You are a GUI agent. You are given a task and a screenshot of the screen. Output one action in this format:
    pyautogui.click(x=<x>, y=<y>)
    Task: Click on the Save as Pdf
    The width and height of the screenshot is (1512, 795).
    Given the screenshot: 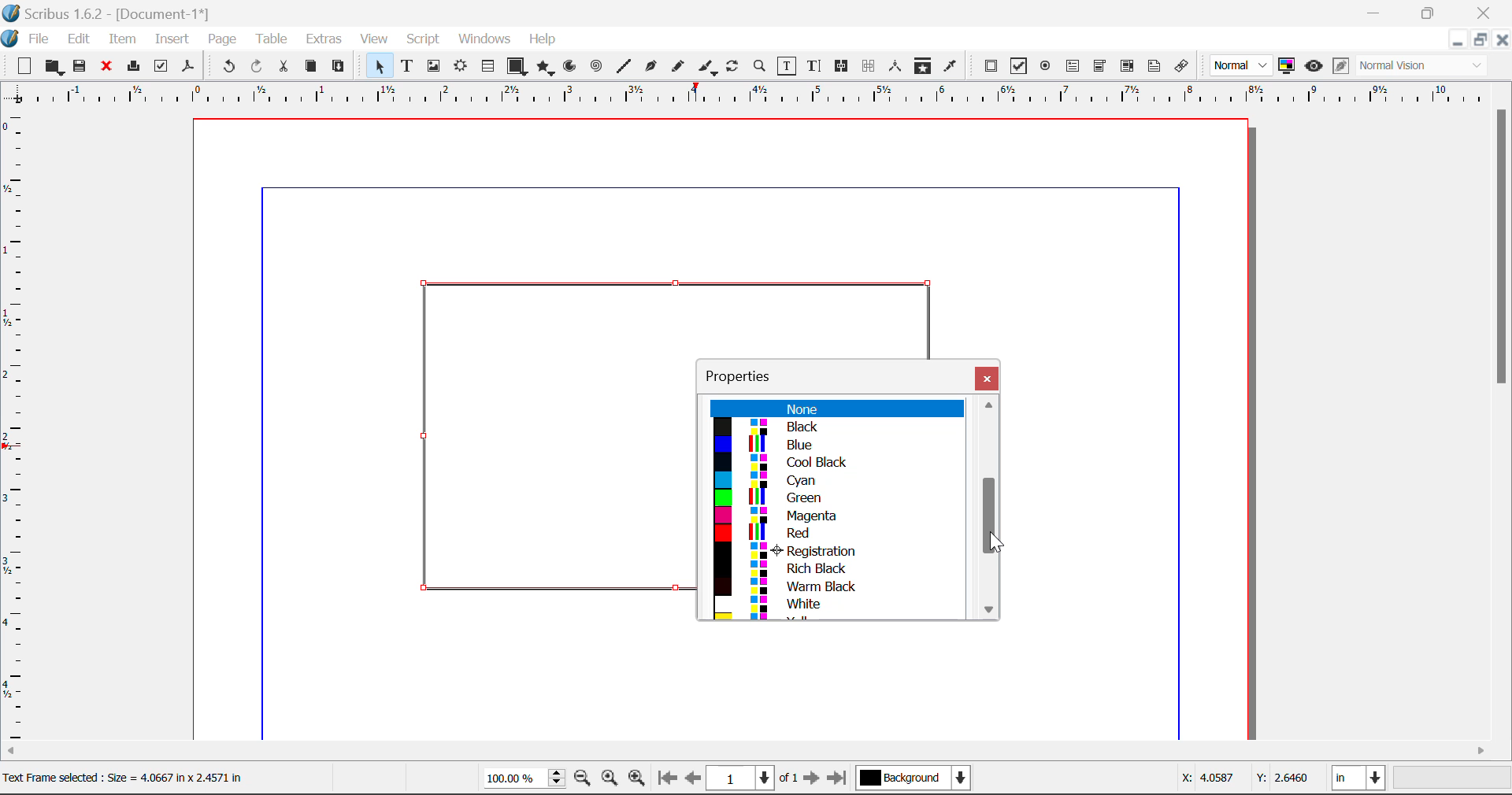 What is the action you would take?
    pyautogui.click(x=188, y=67)
    